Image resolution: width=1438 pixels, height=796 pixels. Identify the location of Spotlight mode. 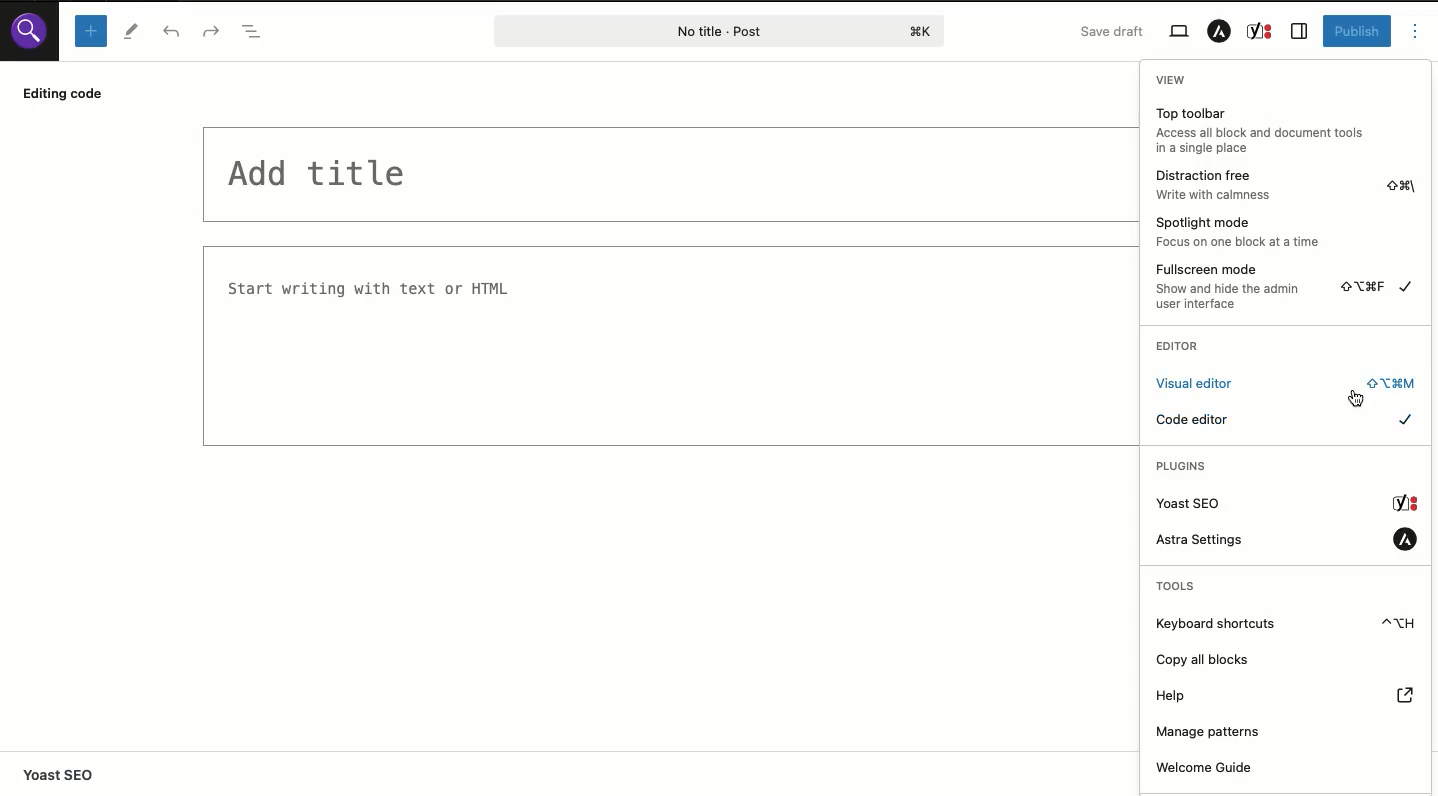
(1248, 231).